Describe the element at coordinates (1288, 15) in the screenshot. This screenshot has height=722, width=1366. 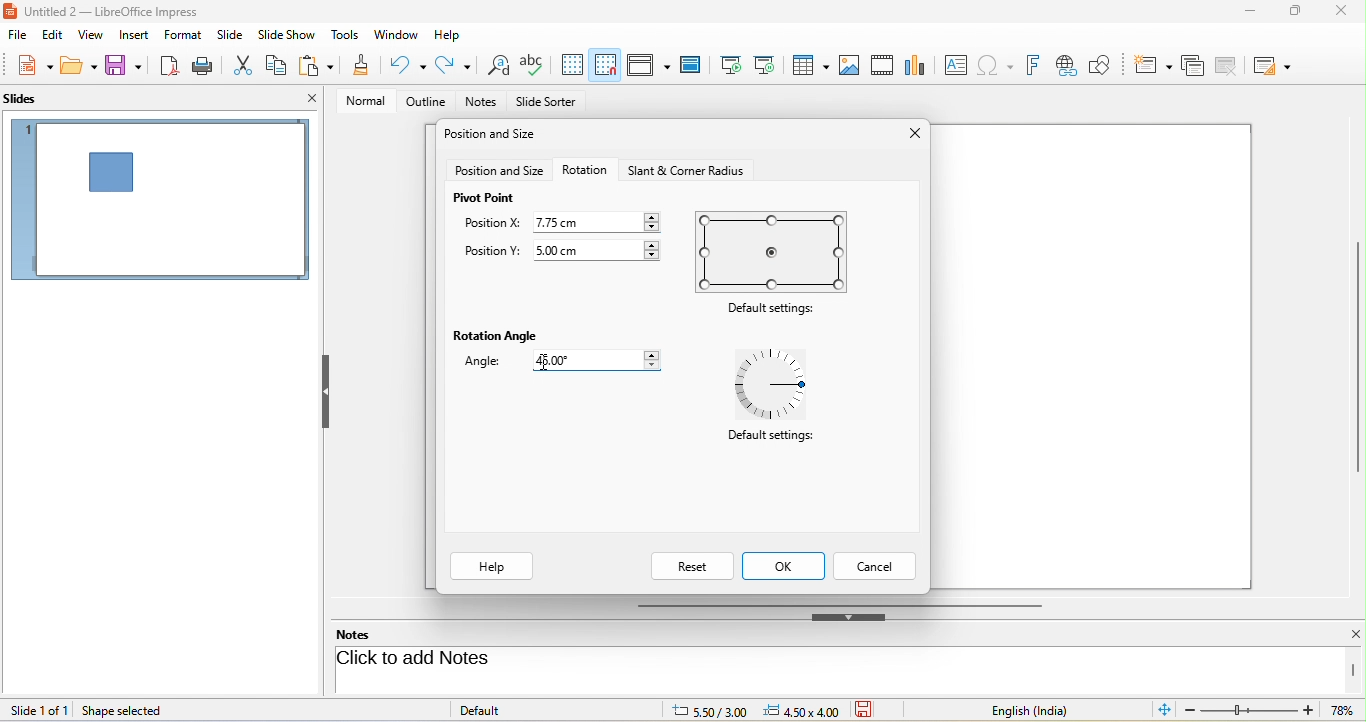
I see `maximize` at that location.